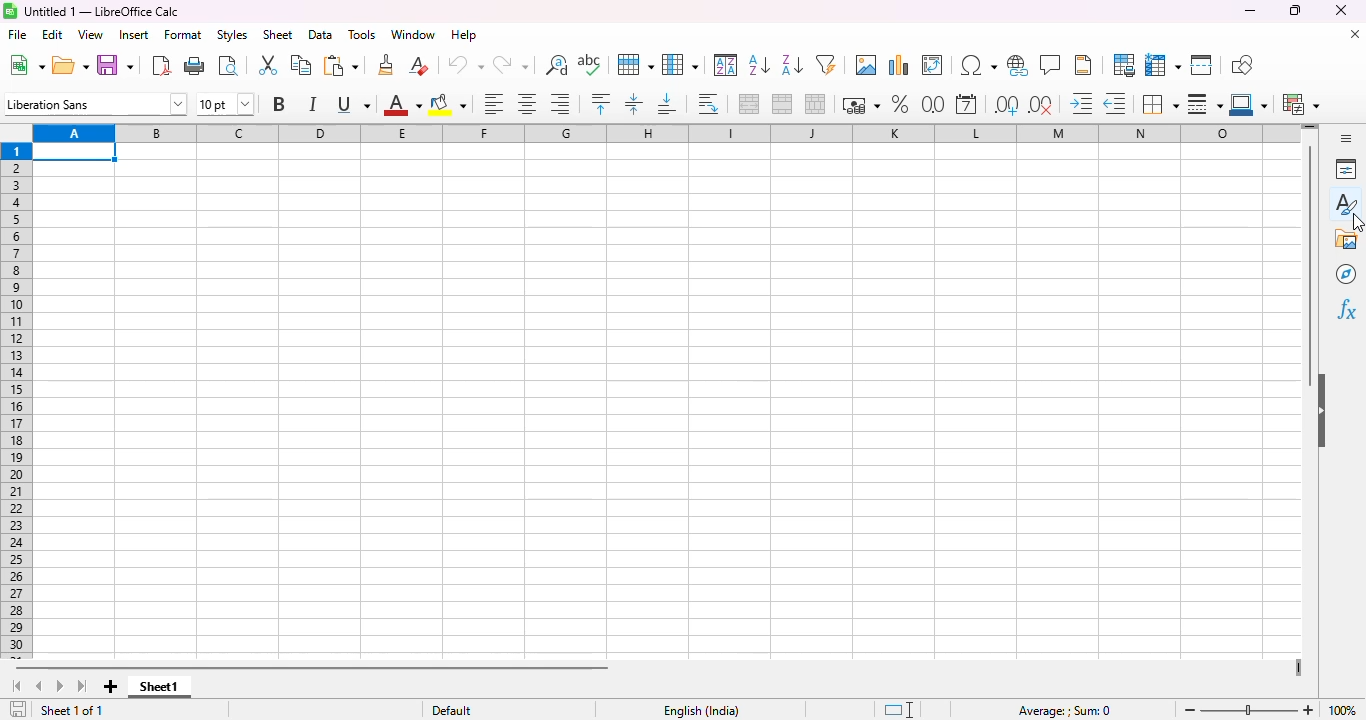 The height and width of the screenshot is (720, 1366). What do you see at coordinates (665, 104) in the screenshot?
I see `align bottom` at bounding box center [665, 104].